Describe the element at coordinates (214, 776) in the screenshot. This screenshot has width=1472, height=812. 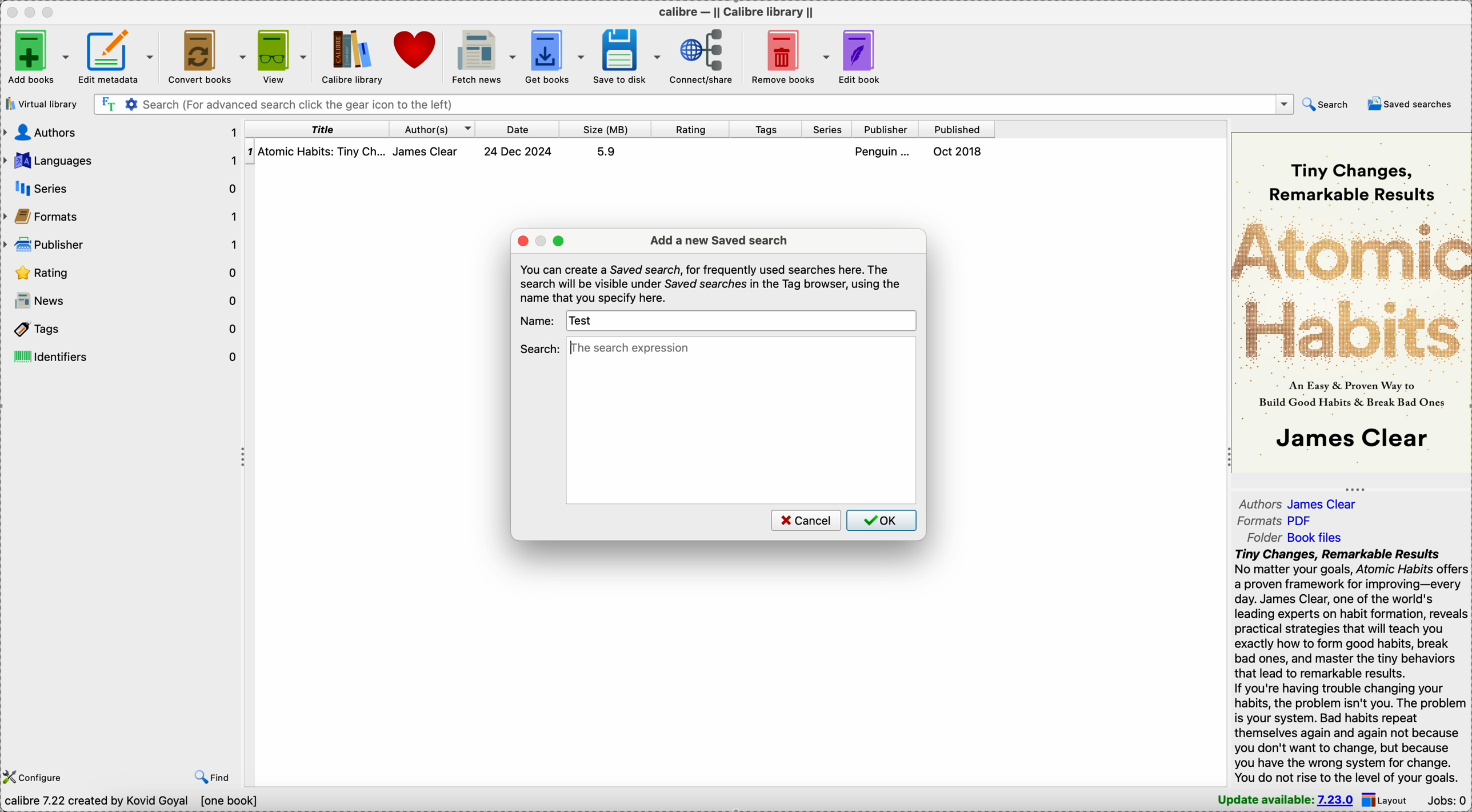
I see `find` at that location.